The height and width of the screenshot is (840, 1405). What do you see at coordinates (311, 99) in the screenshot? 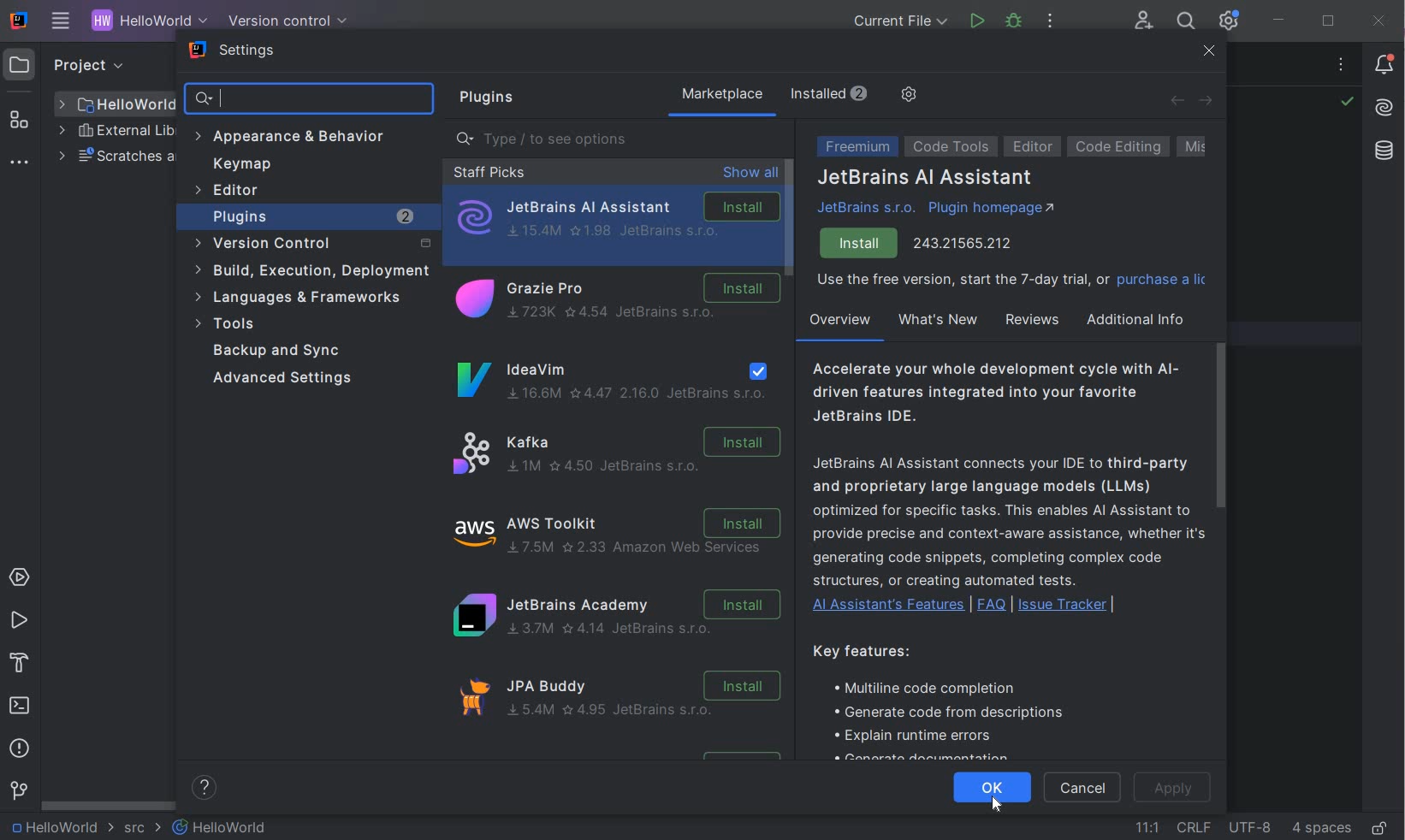
I see `search settings` at bounding box center [311, 99].